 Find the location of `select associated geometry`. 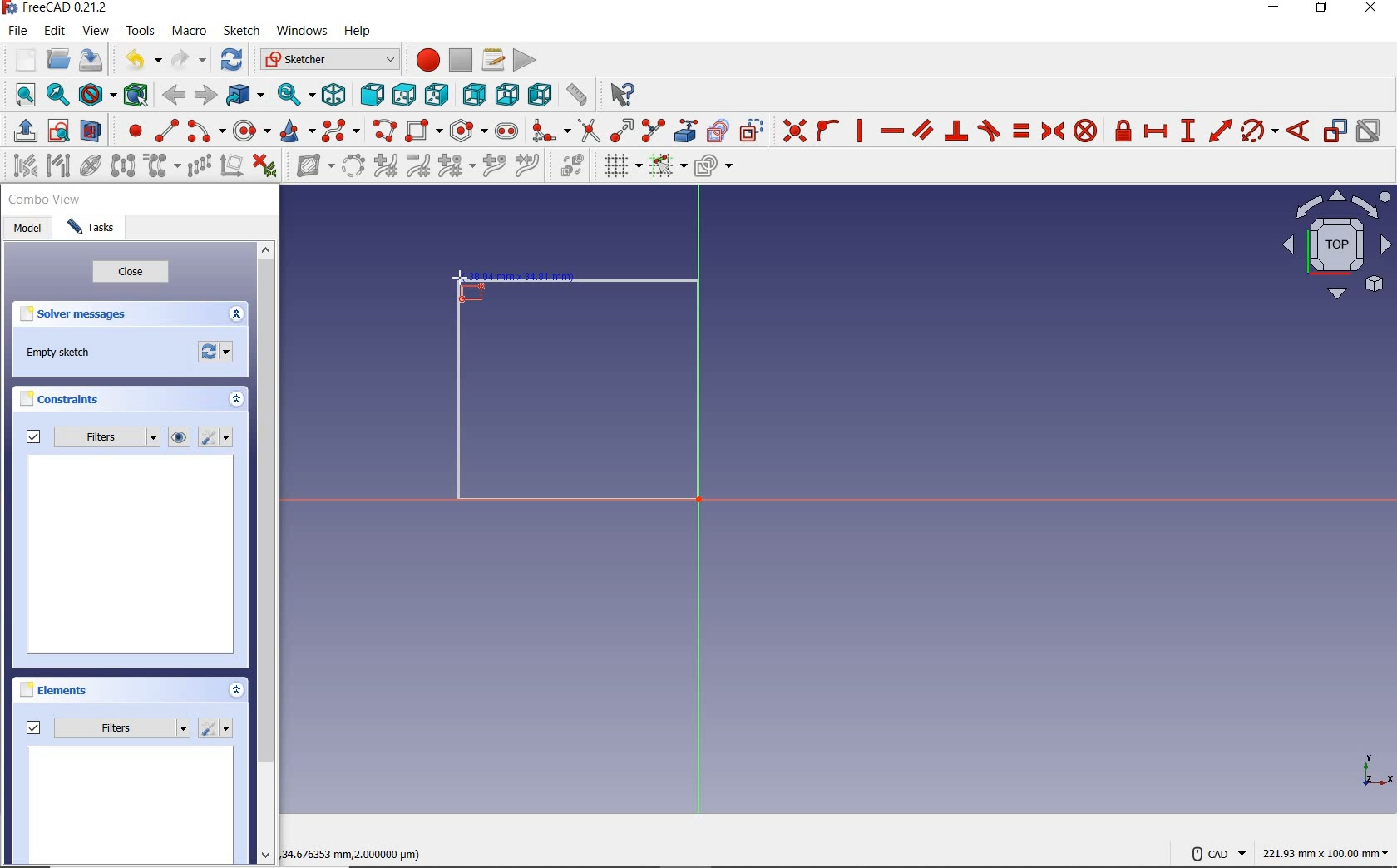

select associated geometry is located at coordinates (57, 166).